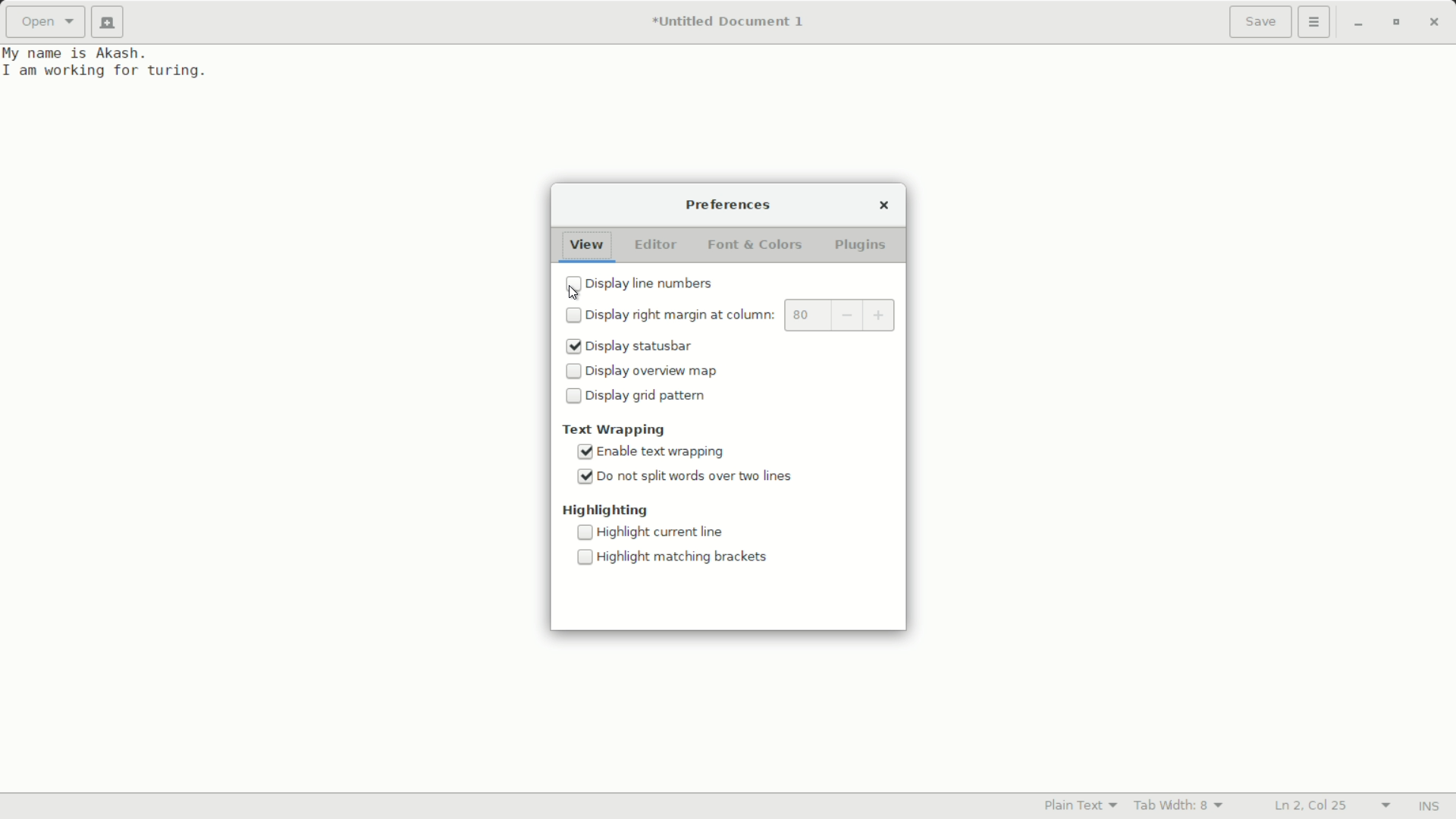 The image size is (1456, 819). I want to click on display line numbers, so click(651, 285).